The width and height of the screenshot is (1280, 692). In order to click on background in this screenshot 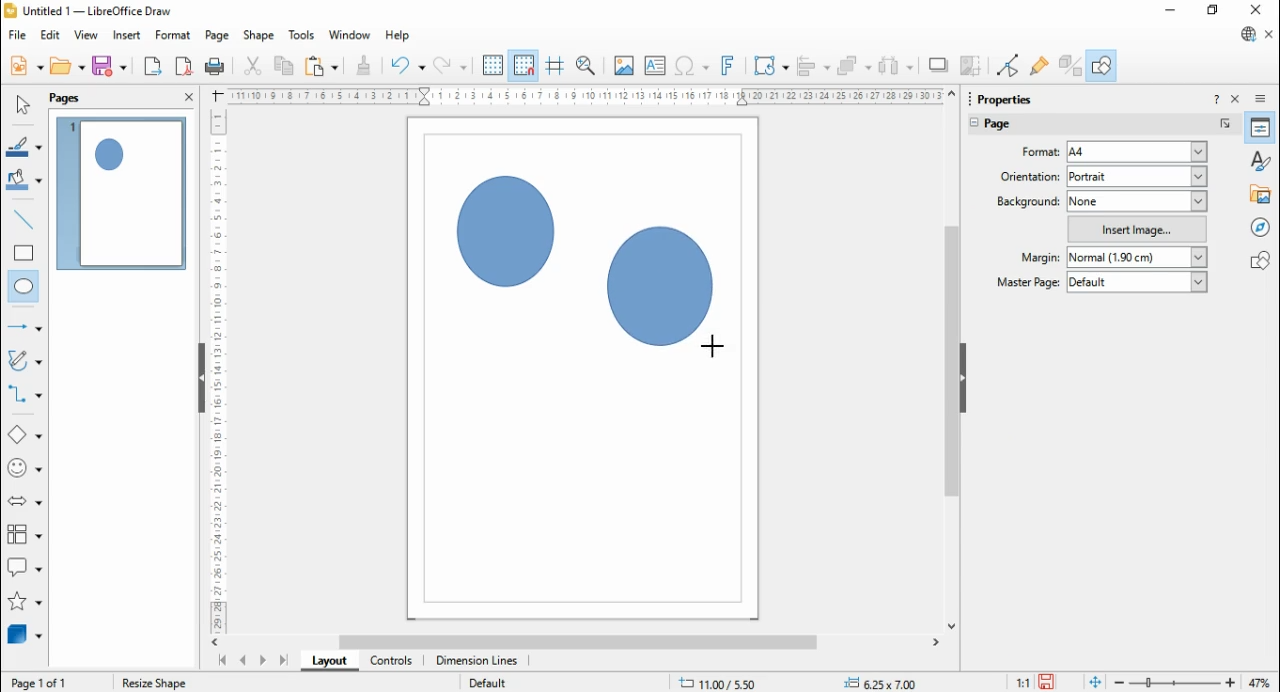, I will do `click(1030, 201)`.